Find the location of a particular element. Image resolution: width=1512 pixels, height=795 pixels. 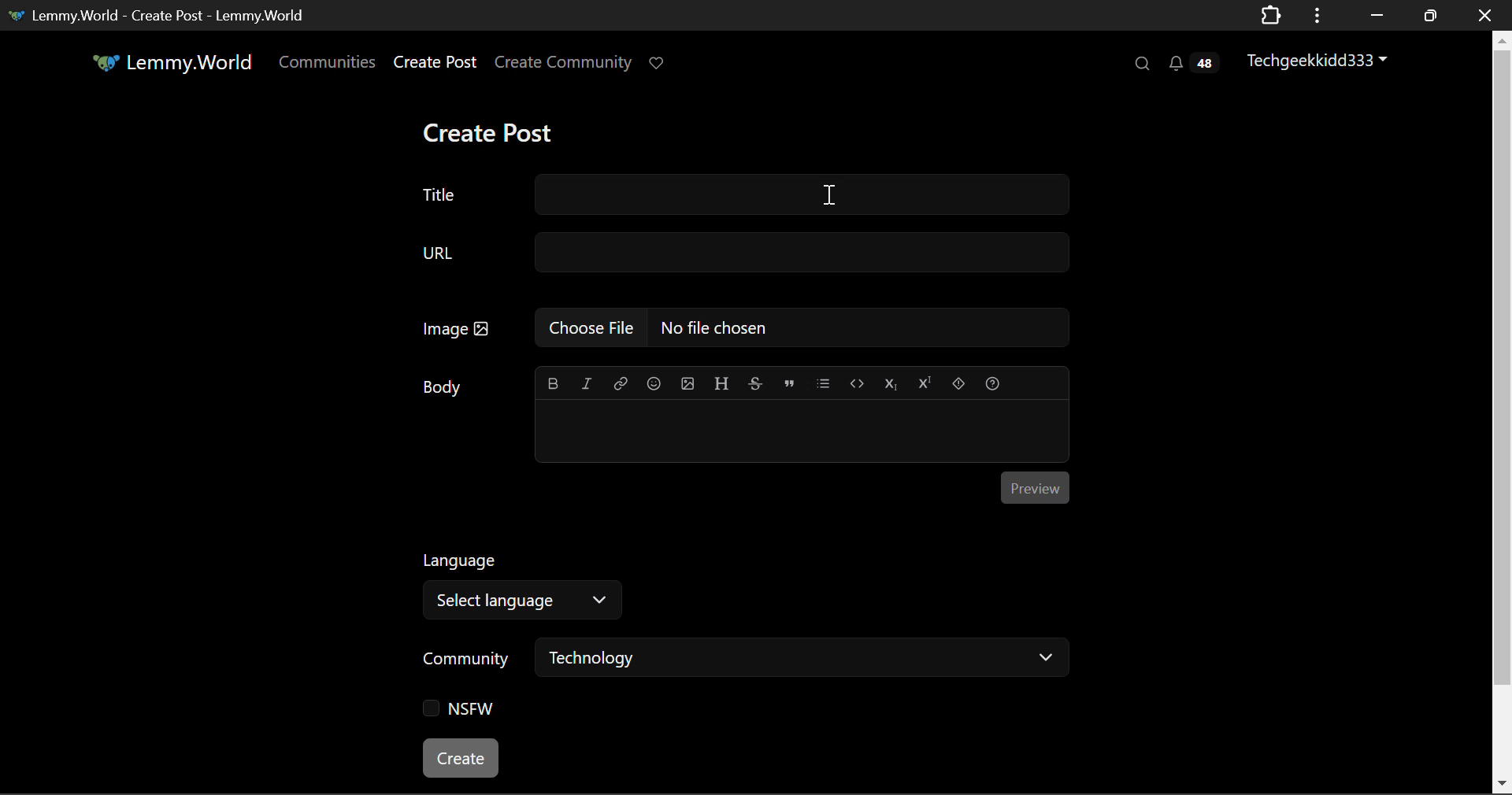

spoiler is located at coordinates (959, 381).